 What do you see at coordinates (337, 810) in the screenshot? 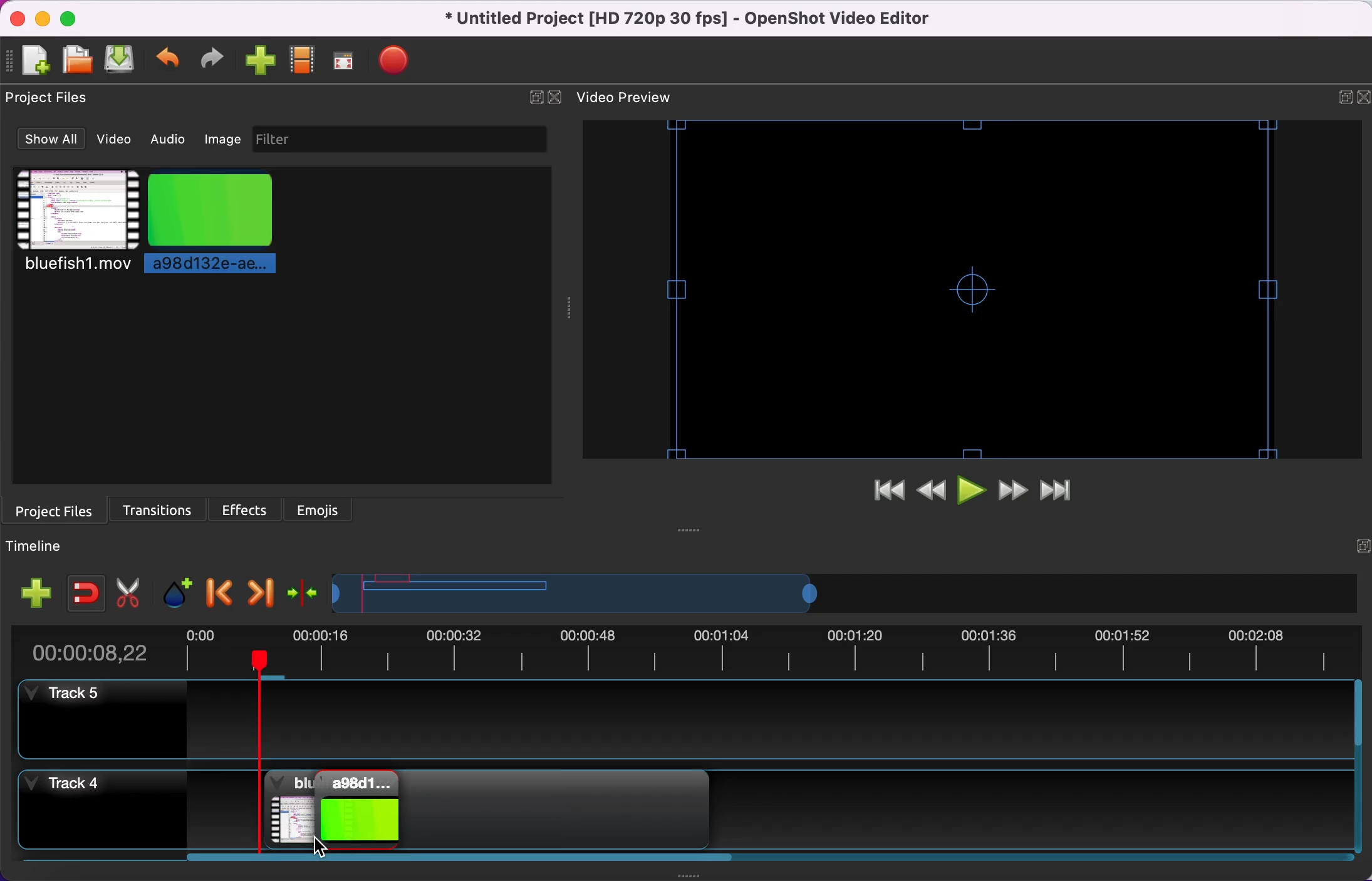
I see `picture in picture` at bounding box center [337, 810].